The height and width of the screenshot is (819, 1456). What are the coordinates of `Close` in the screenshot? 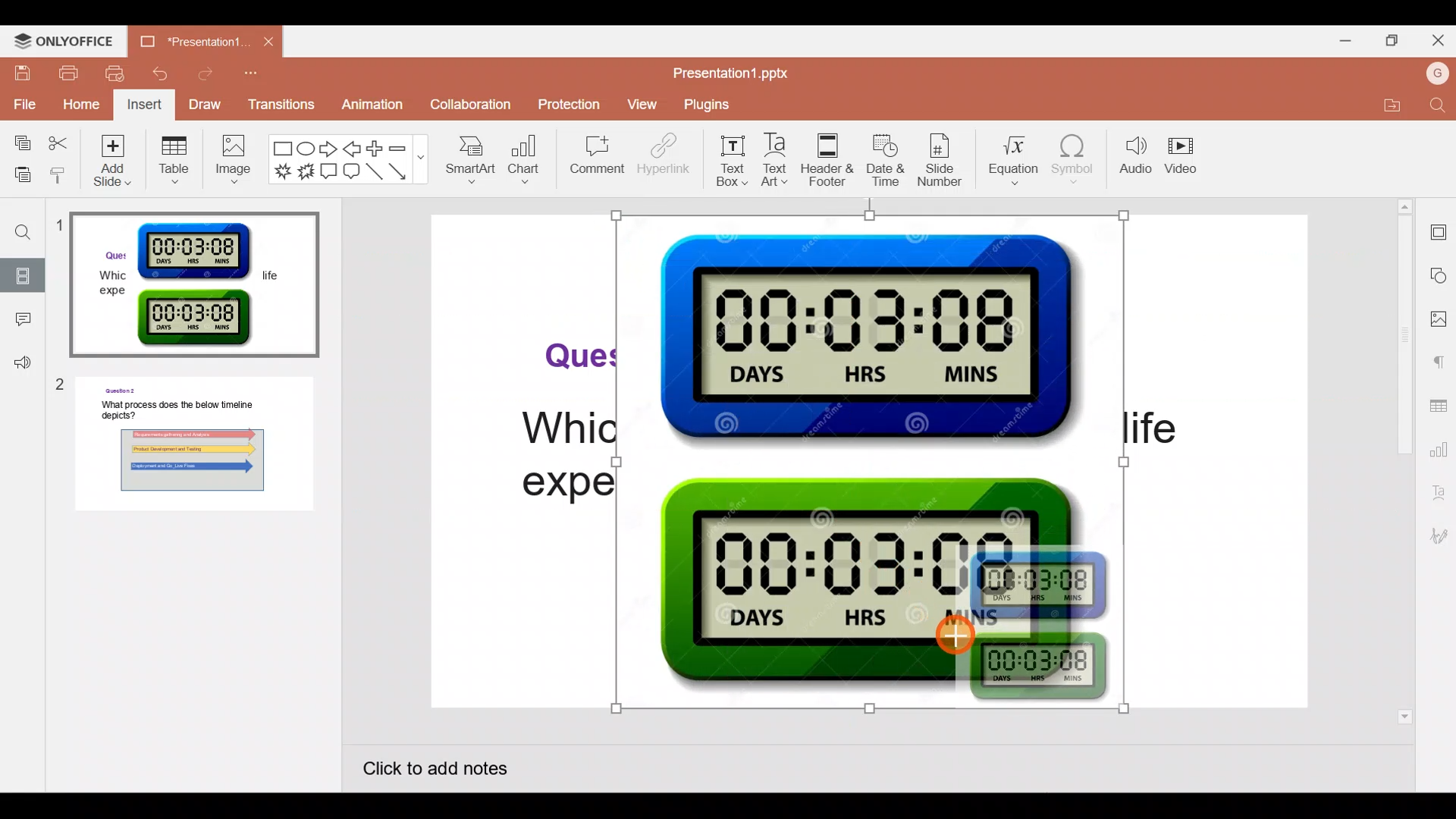 It's located at (1437, 41).